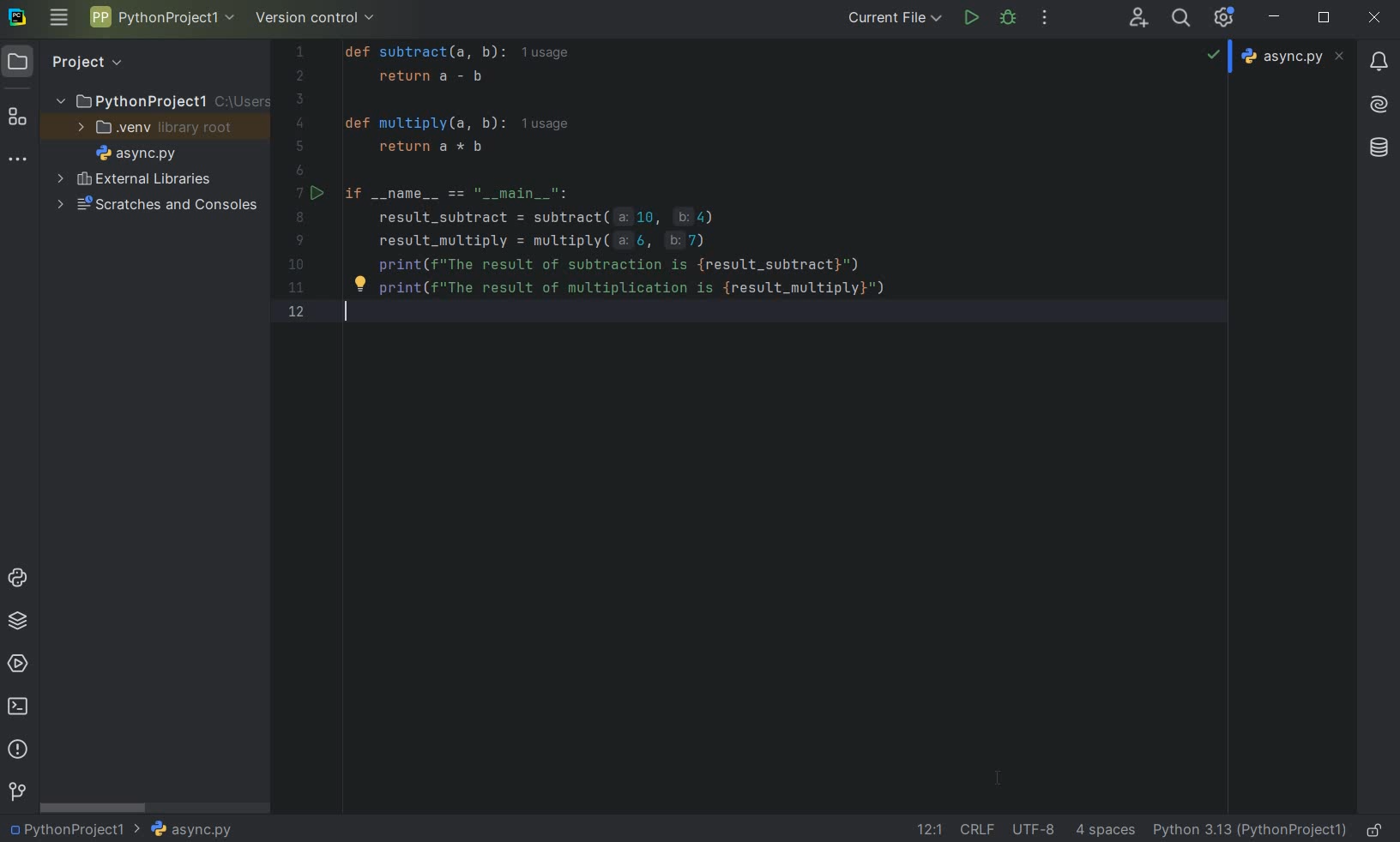 The image size is (1400, 842). I want to click on main menu, so click(58, 17).